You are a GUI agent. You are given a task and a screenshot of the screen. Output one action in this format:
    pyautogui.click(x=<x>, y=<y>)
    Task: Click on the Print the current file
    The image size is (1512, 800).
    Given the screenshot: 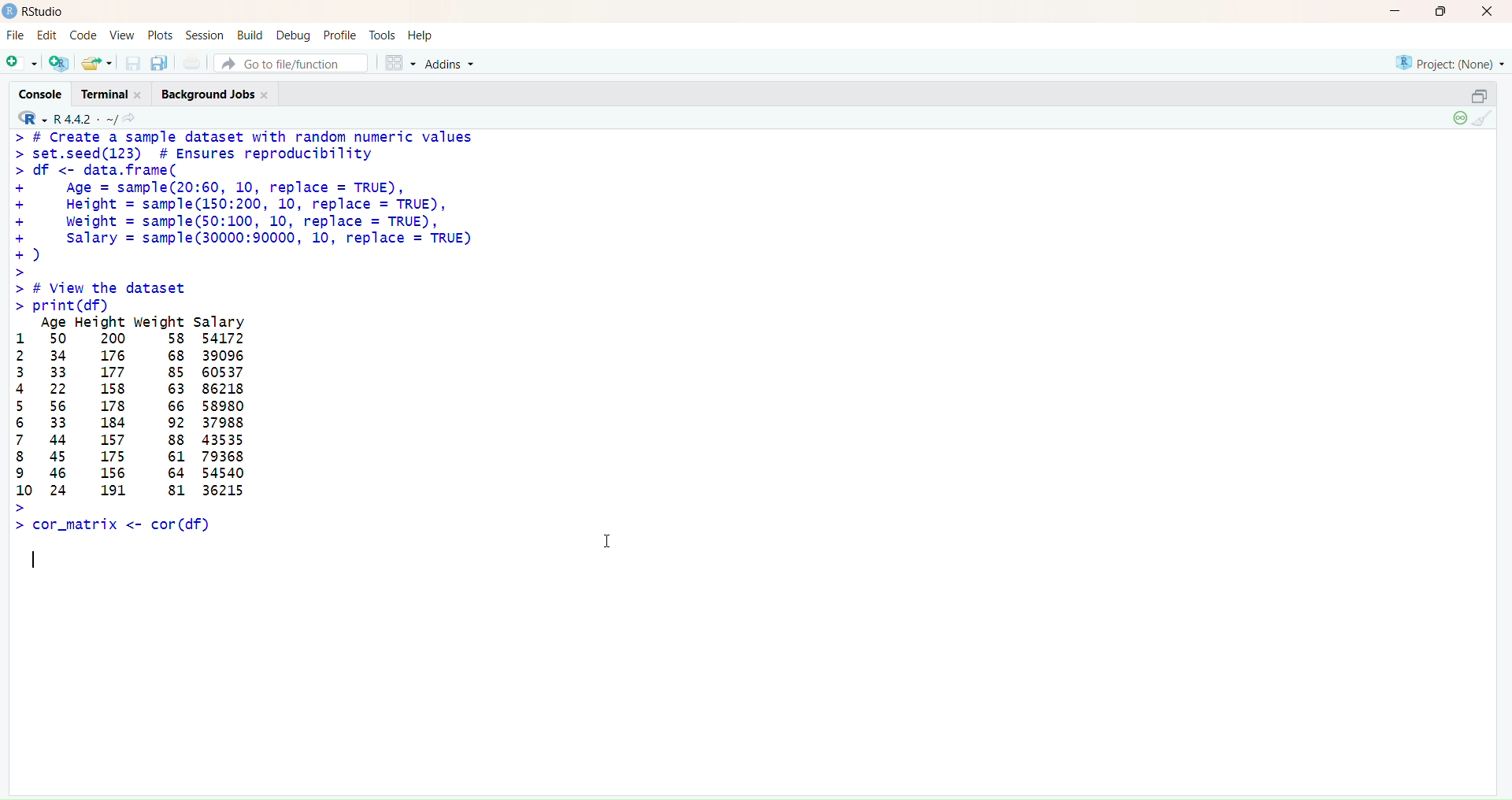 What is the action you would take?
    pyautogui.click(x=193, y=62)
    